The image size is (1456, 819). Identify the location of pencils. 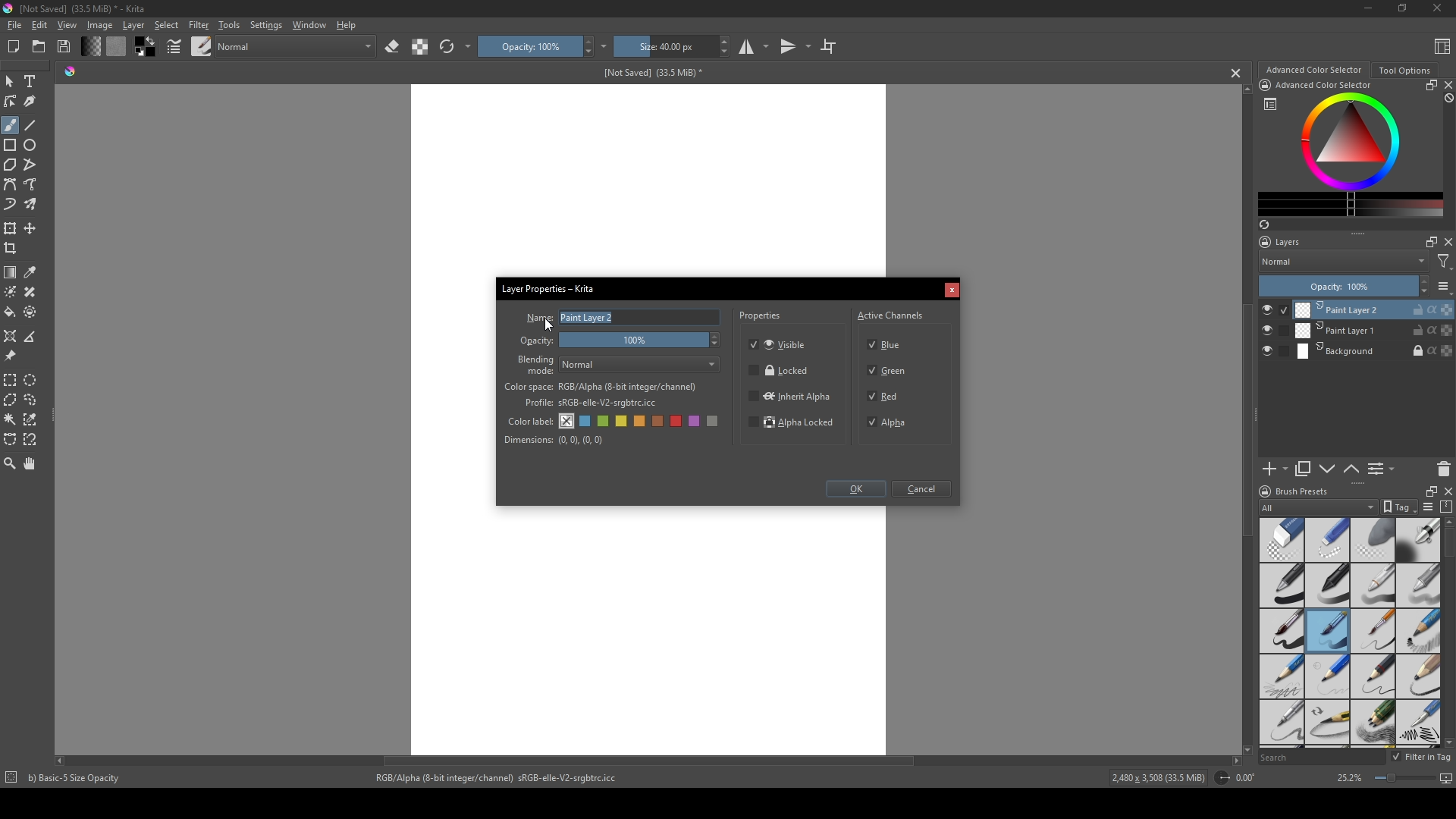
(1372, 723).